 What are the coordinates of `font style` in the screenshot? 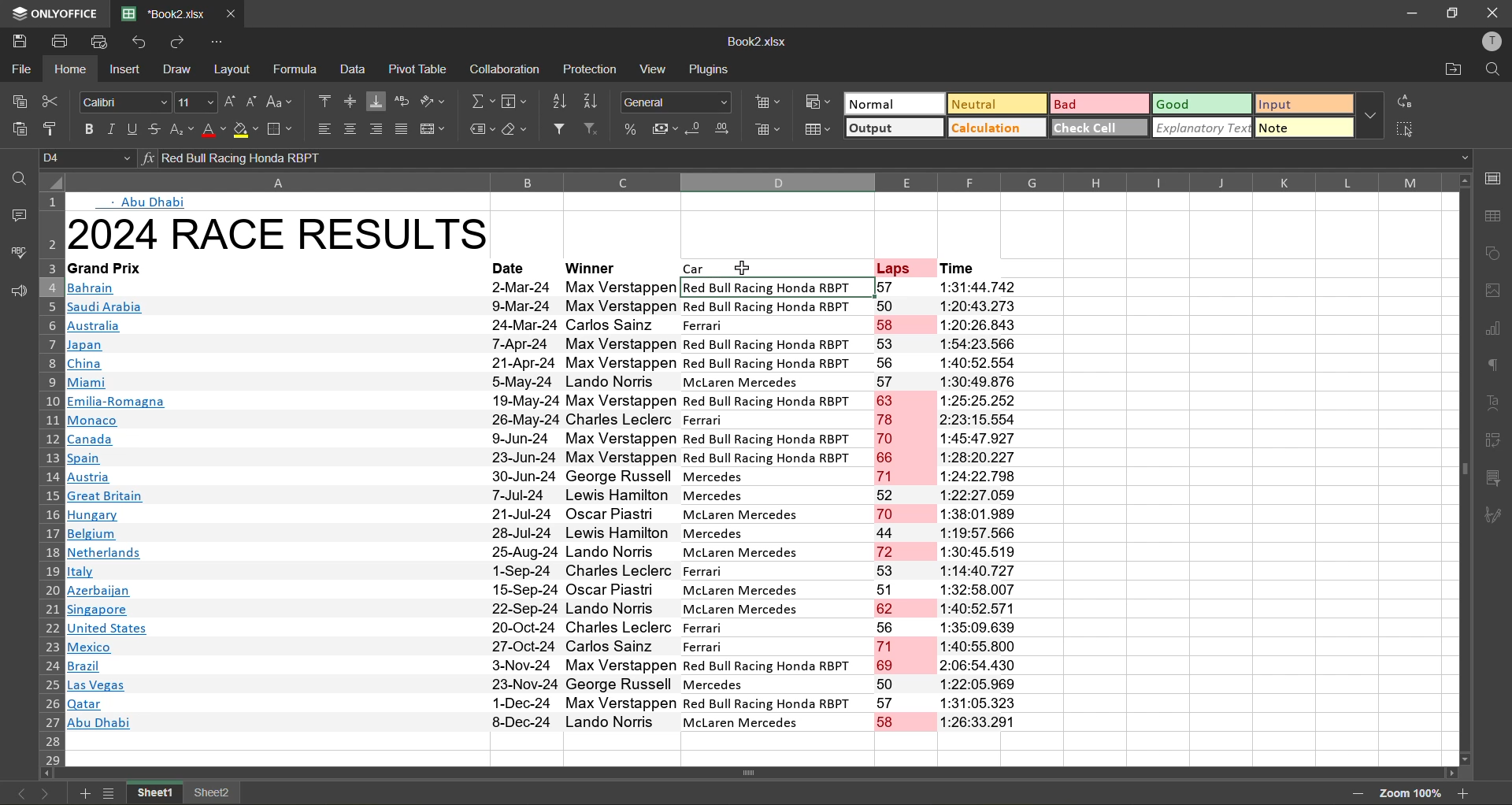 It's located at (120, 103).